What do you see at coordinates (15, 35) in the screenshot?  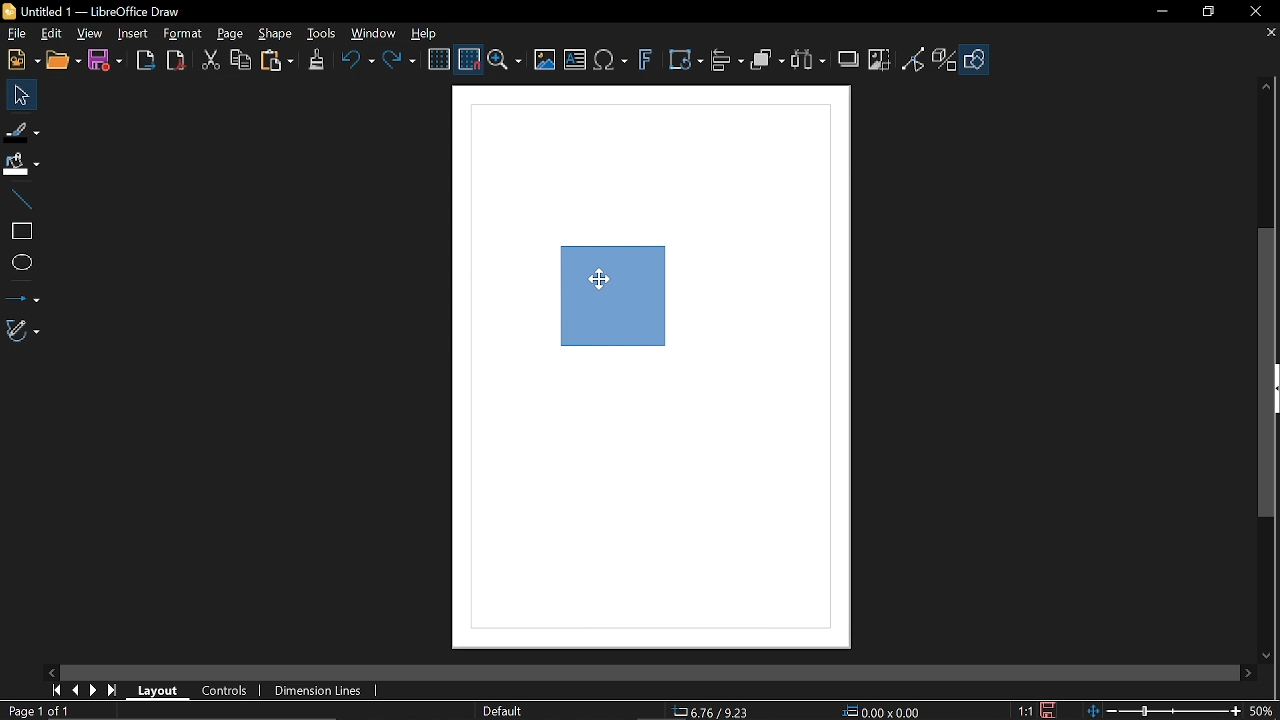 I see `File` at bounding box center [15, 35].